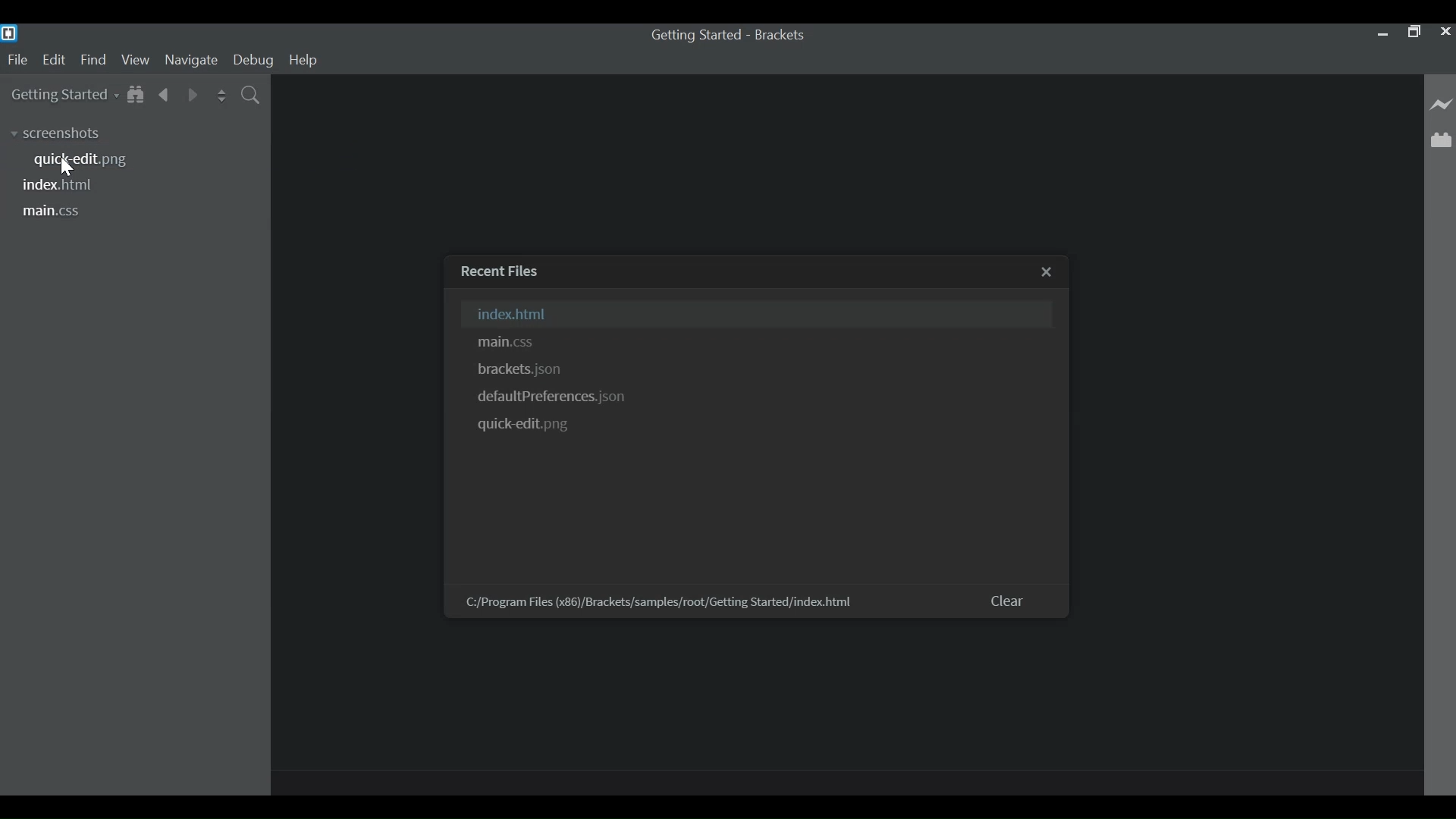 The width and height of the screenshot is (1456, 819). What do you see at coordinates (660, 602) in the screenshot?
I see `C:/Program Files (*56)/Brackets/samples/root/Getting Started/index.html` at bounding box center [660, 602].